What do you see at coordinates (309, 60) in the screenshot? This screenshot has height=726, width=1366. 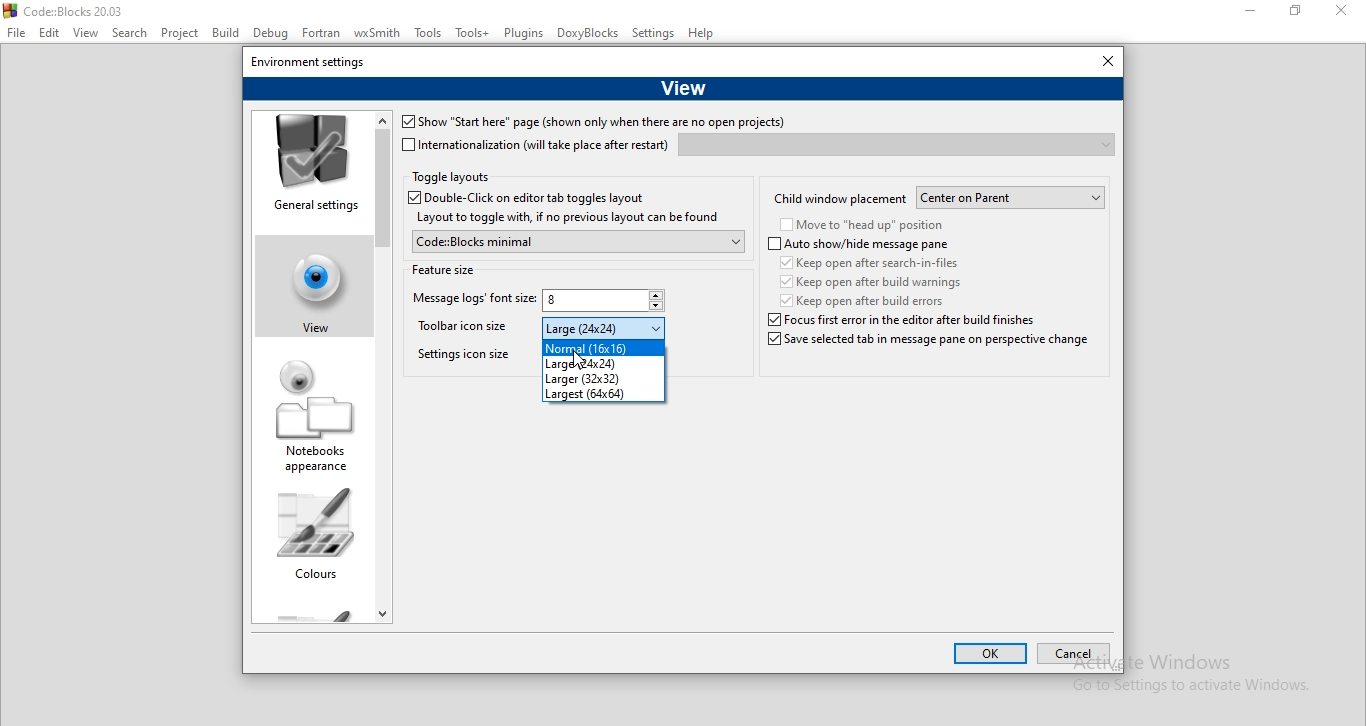 I see `environment settings` at bounding box center [309, 60].